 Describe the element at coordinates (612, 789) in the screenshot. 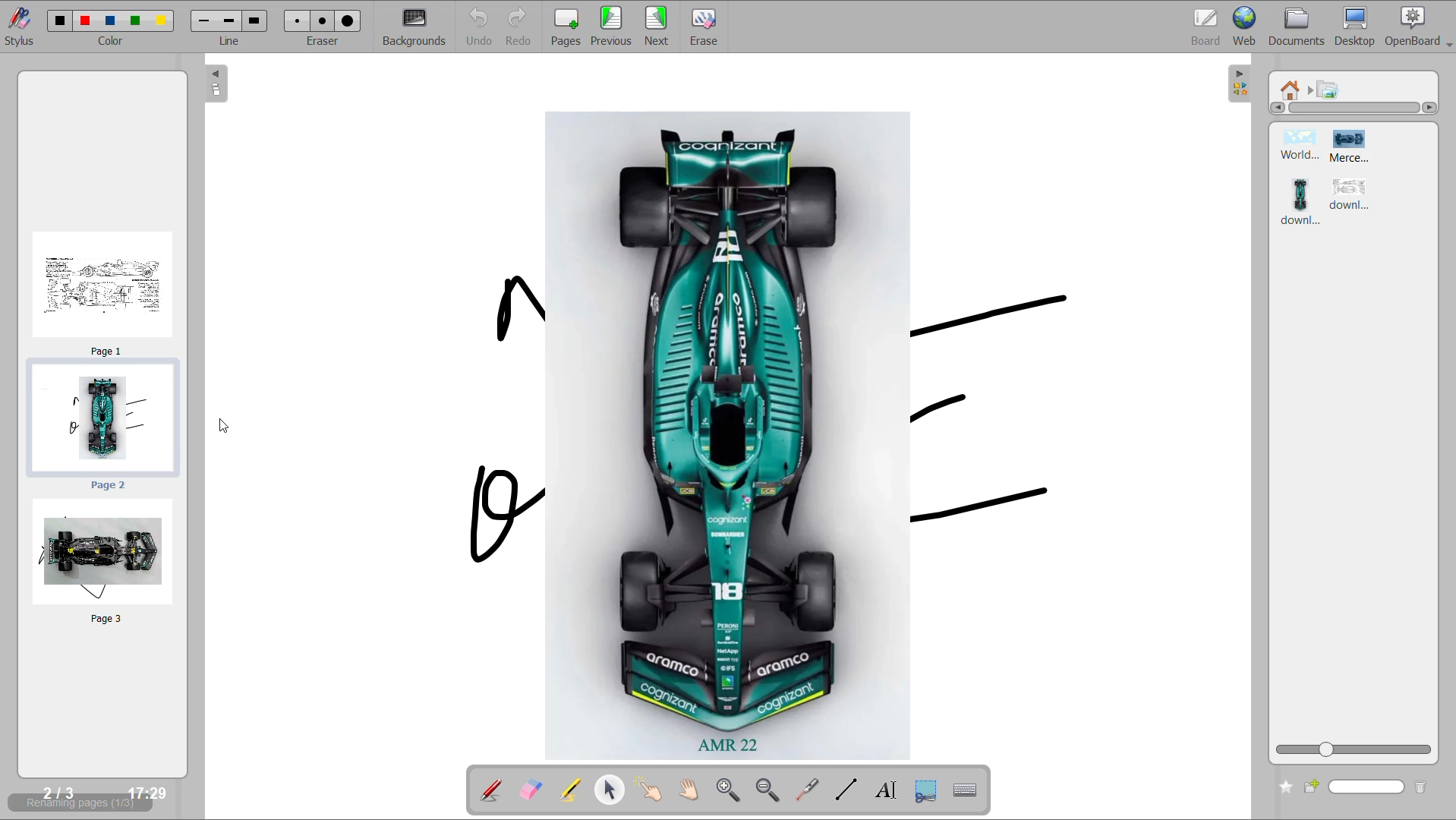

I see `select and modify objects` at that location.